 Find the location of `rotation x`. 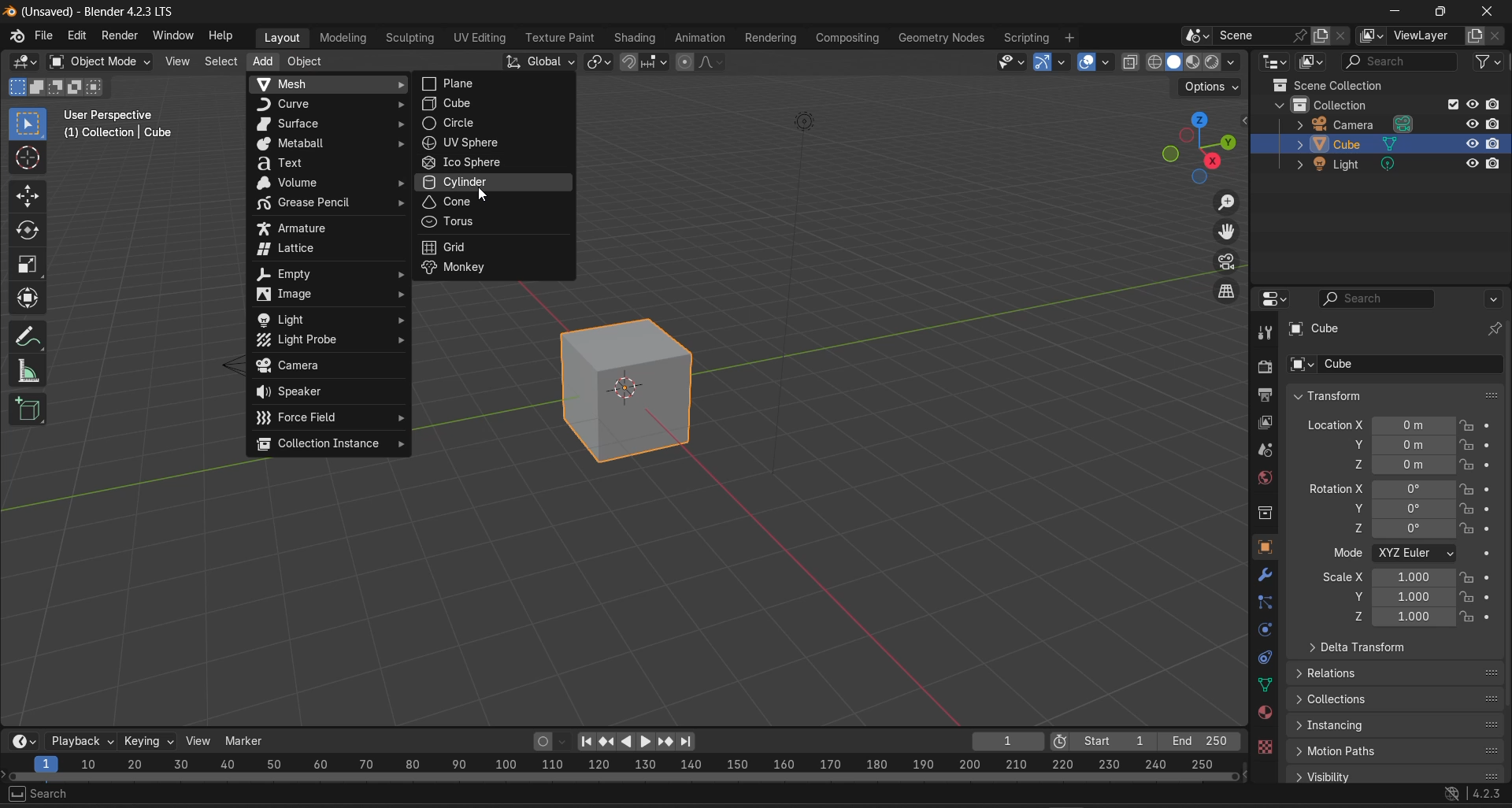

rotation x is located at coordinates (1380, 489).